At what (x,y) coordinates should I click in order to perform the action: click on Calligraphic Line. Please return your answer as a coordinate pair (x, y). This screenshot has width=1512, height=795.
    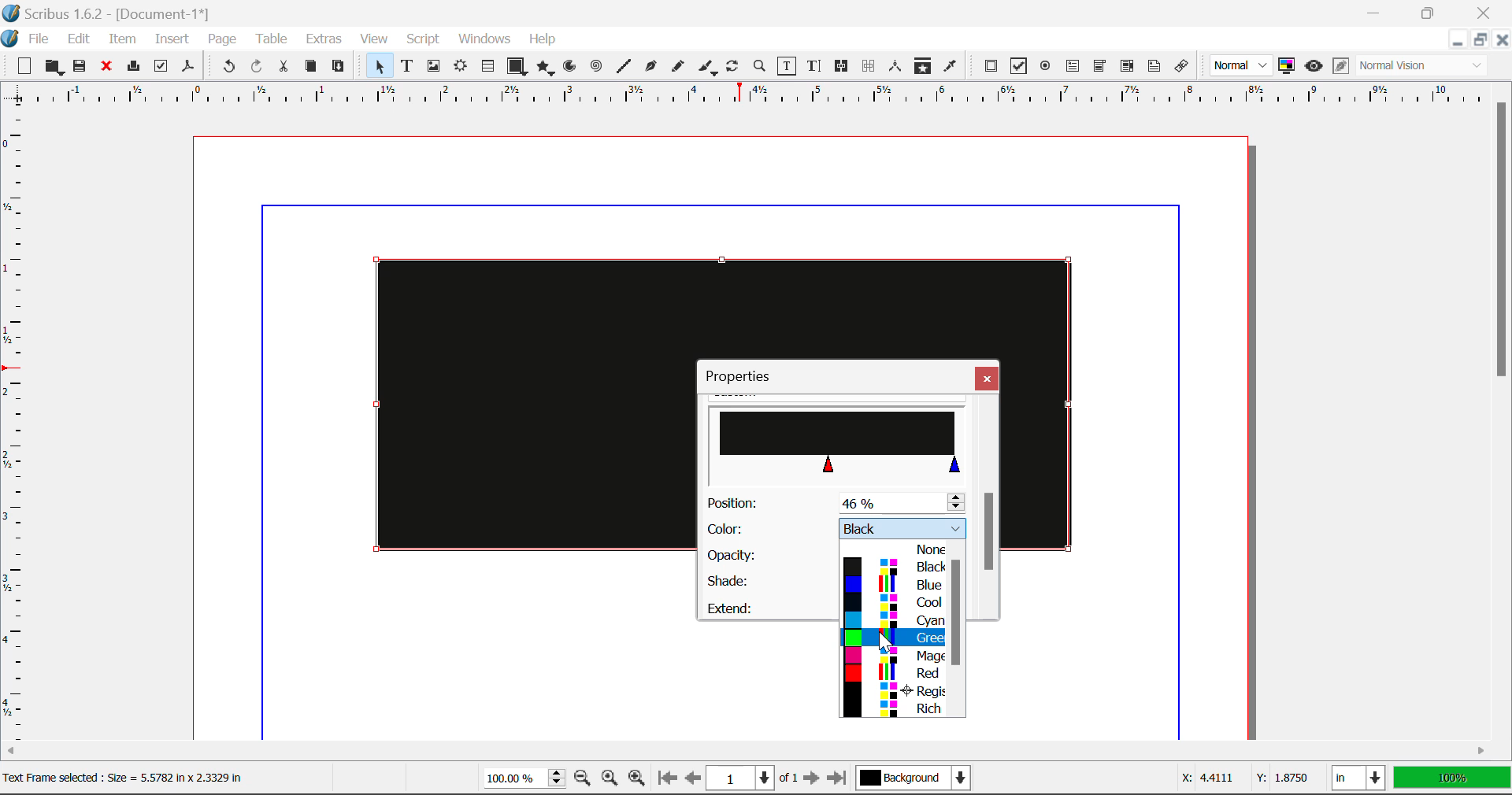
    Looking at the image, I should click on (709, 69).